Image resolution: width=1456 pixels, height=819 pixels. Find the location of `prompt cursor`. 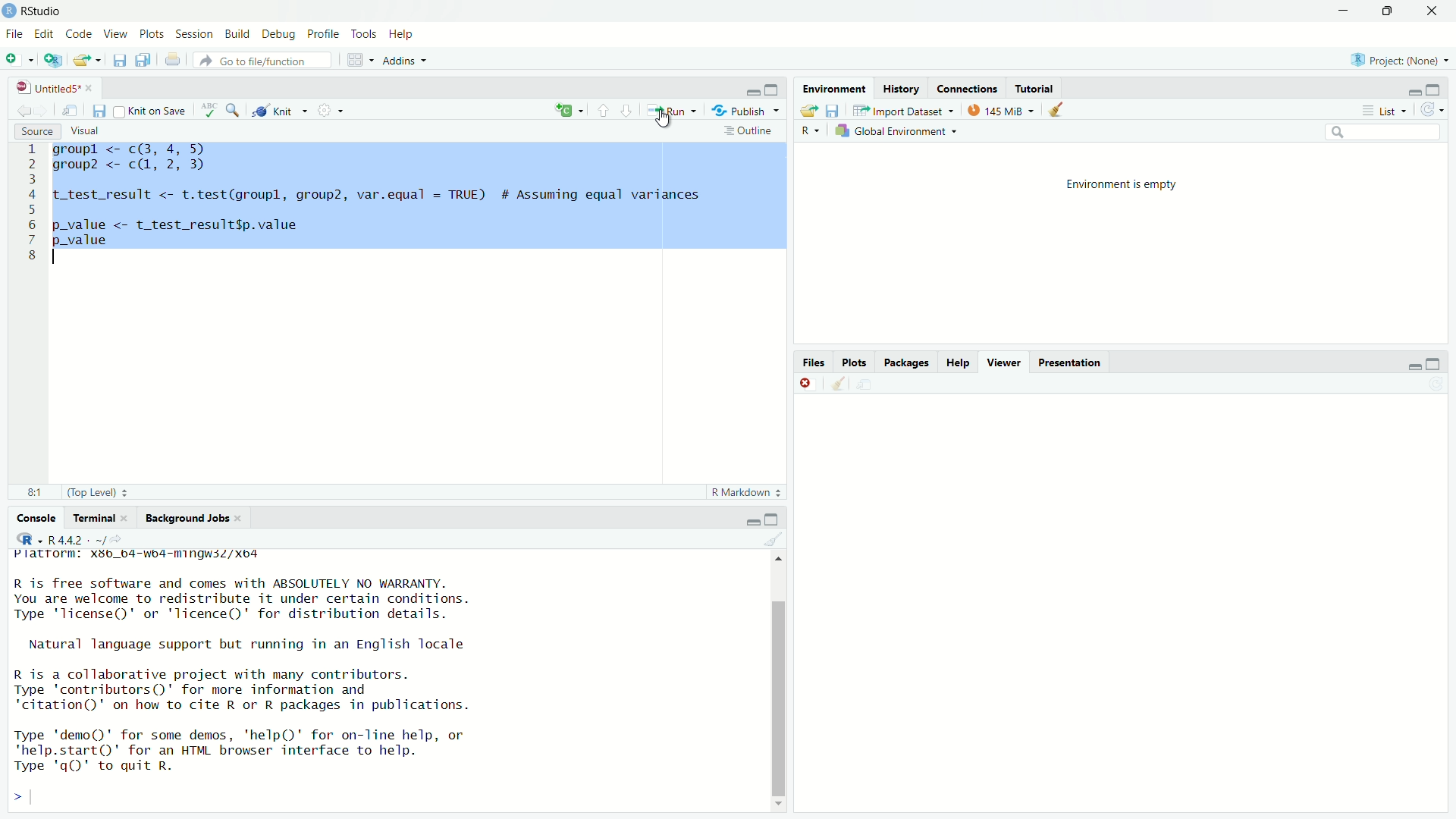

prompt cursor is located at coordinates (17, 795).